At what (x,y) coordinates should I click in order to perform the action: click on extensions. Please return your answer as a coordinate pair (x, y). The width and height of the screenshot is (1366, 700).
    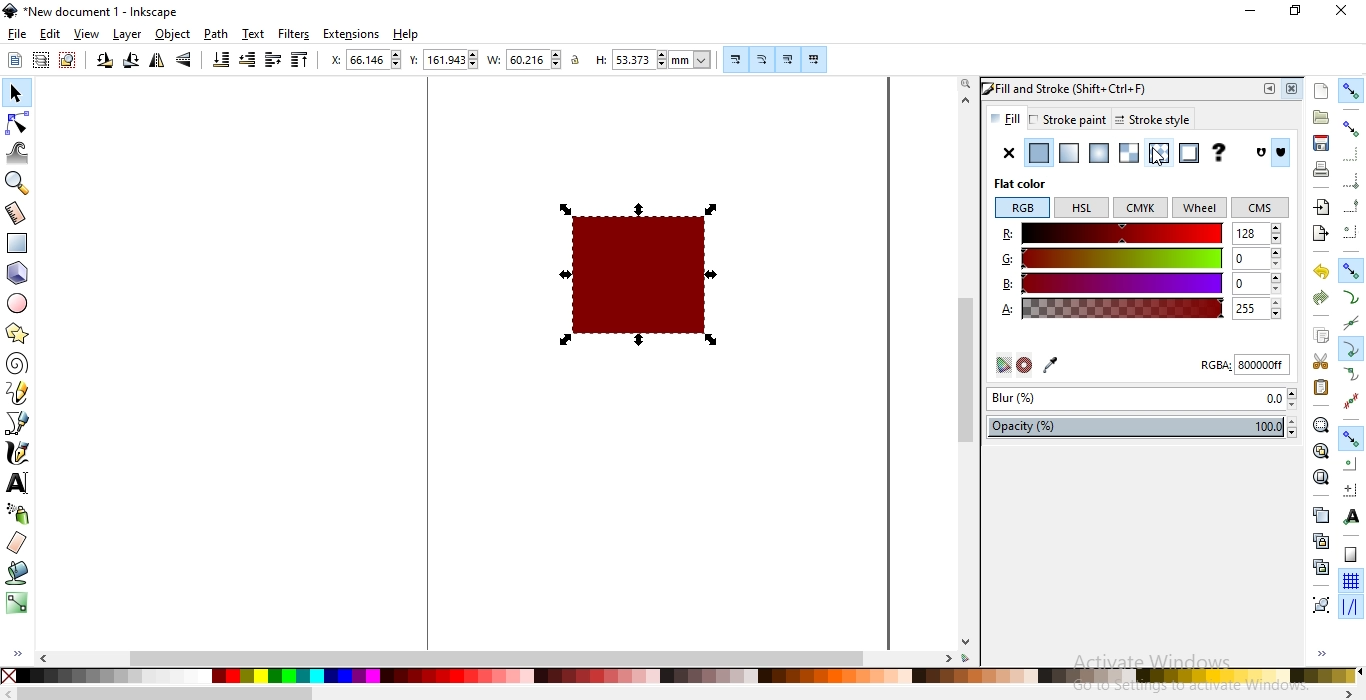
    Looking at the image, I should click on (354, 33).